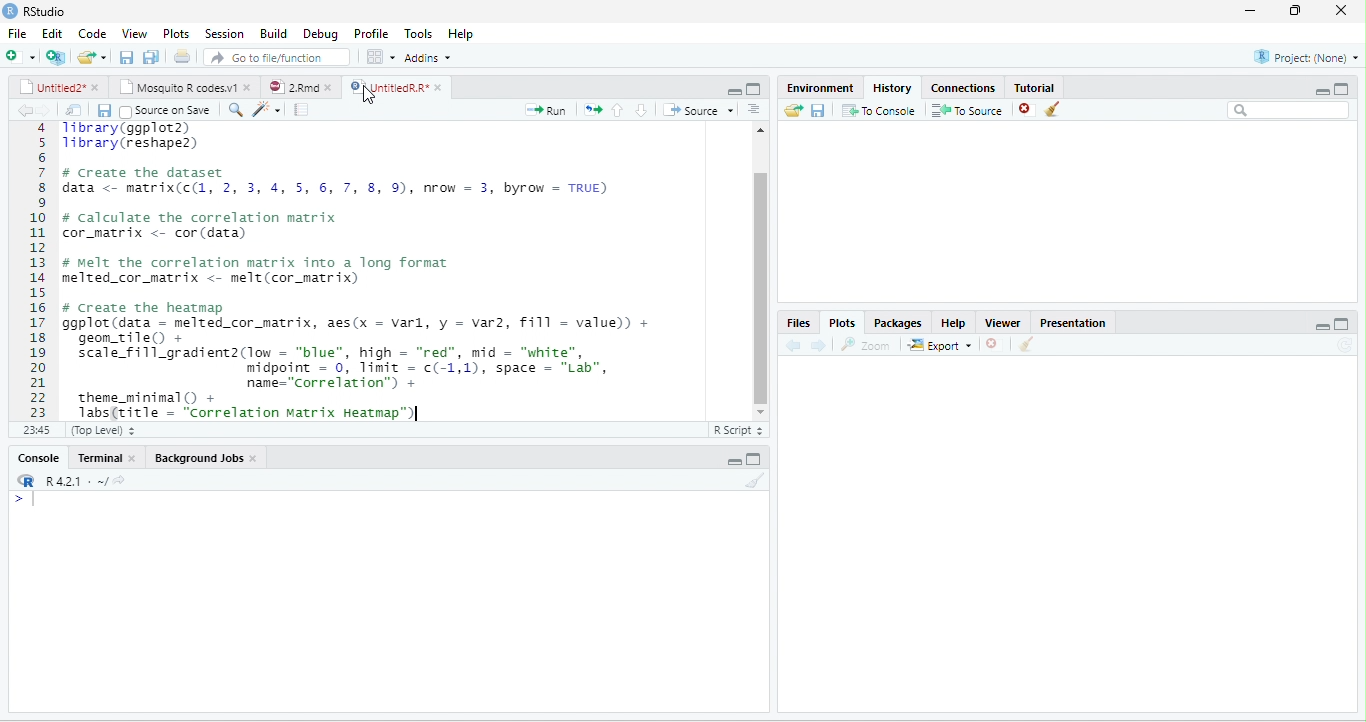  What do you see at coordinates (756, 270) in the screenshot?
I see `slidebar` at bounding box center [756, 270].